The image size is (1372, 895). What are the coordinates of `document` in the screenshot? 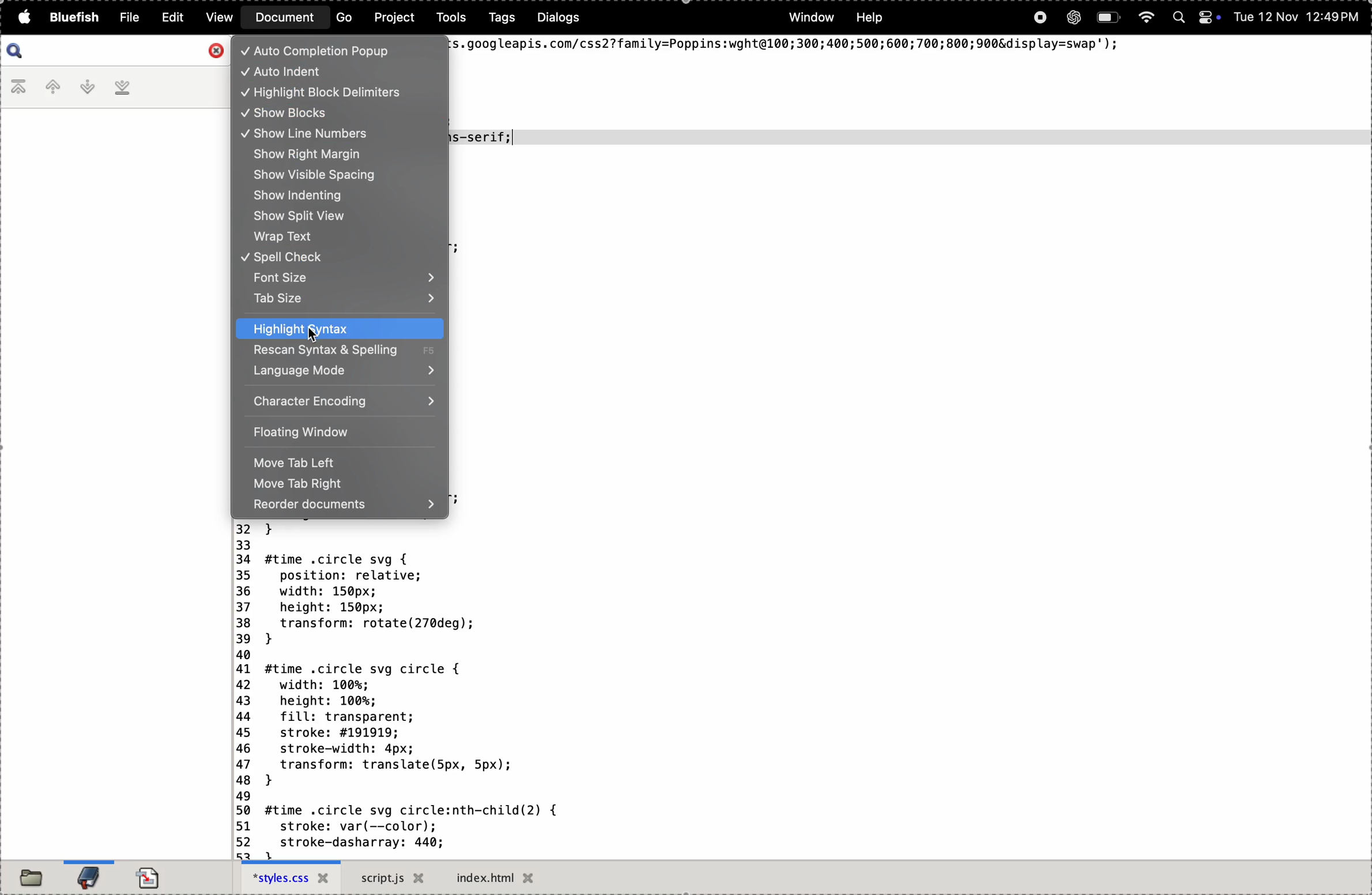 It's located at (283, 18).